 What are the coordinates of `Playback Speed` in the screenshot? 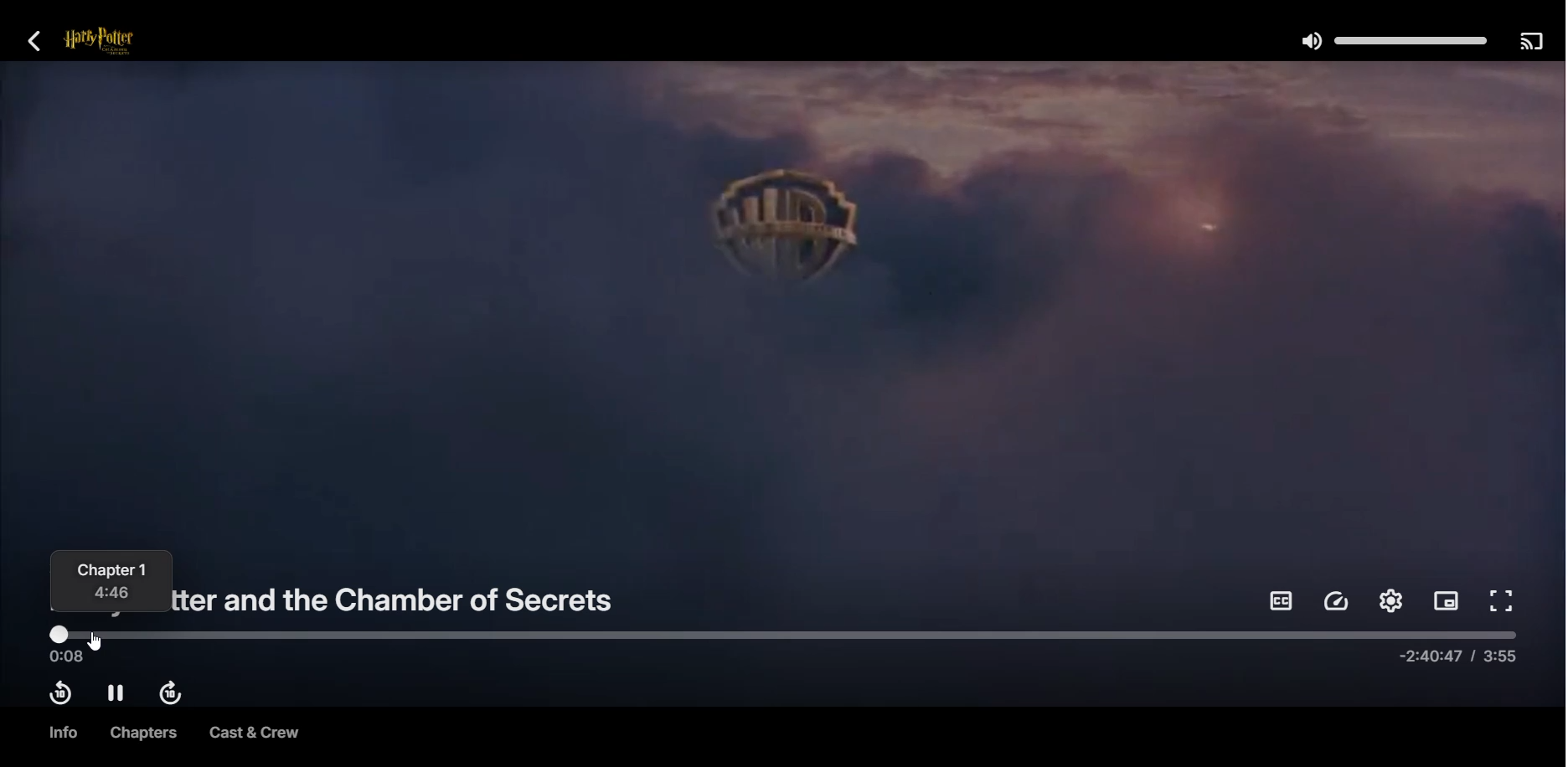 It's located at (1338, 601).